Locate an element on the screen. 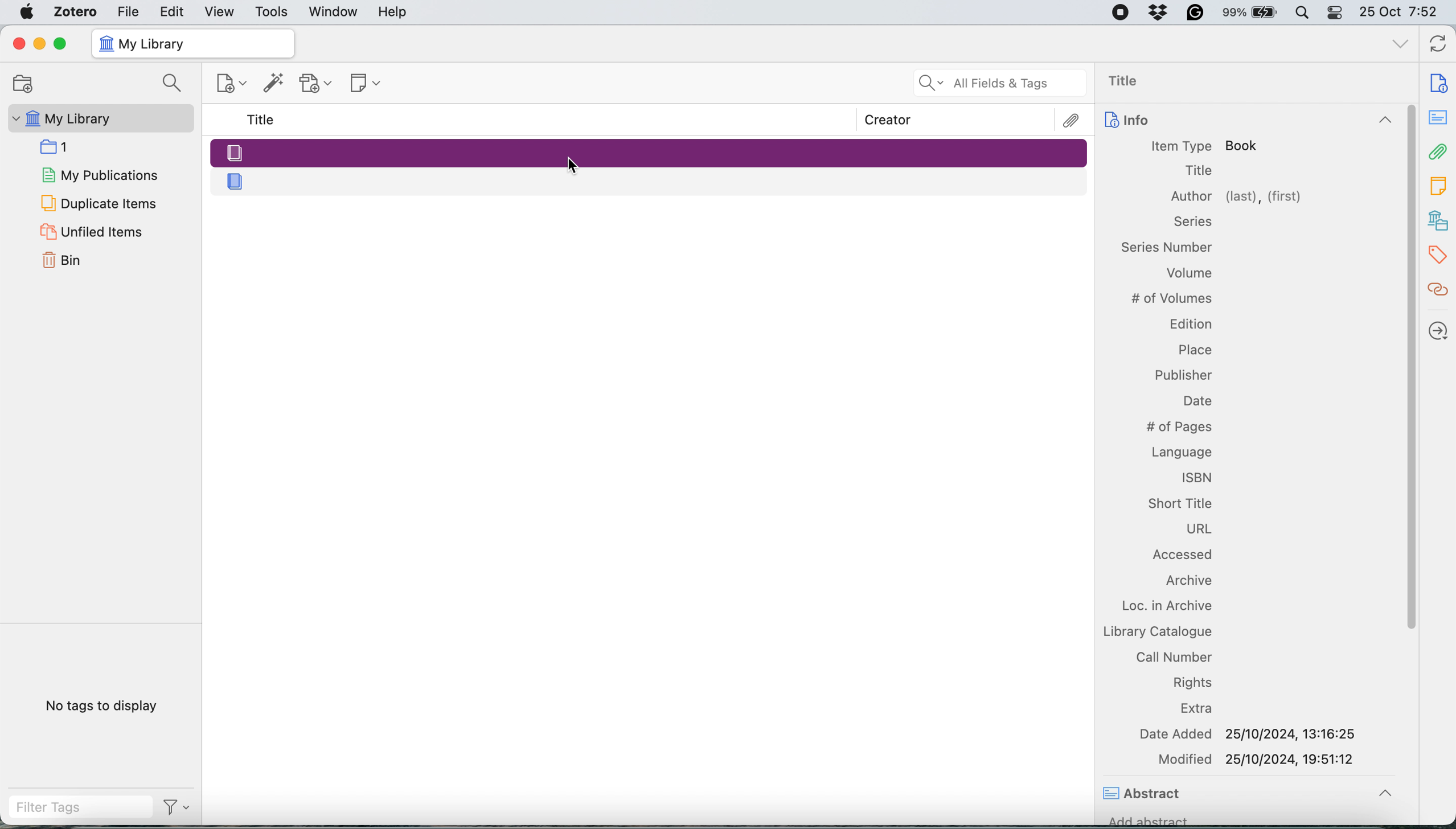 This screenshot has width=1456, height=829. # of Volumes is located at coordinates (1171, 298).